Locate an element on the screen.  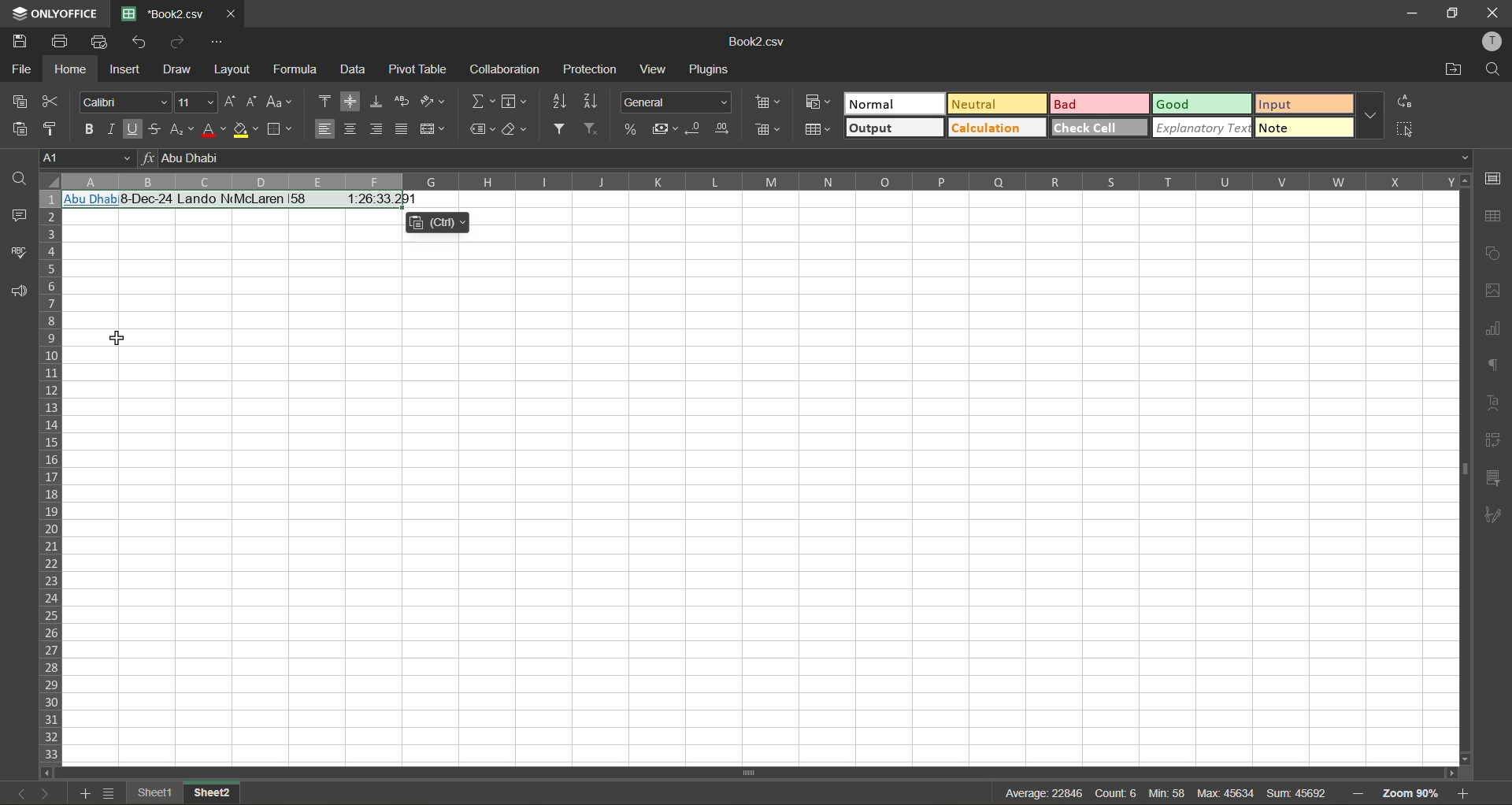
save is located at coordinates (20, 40).